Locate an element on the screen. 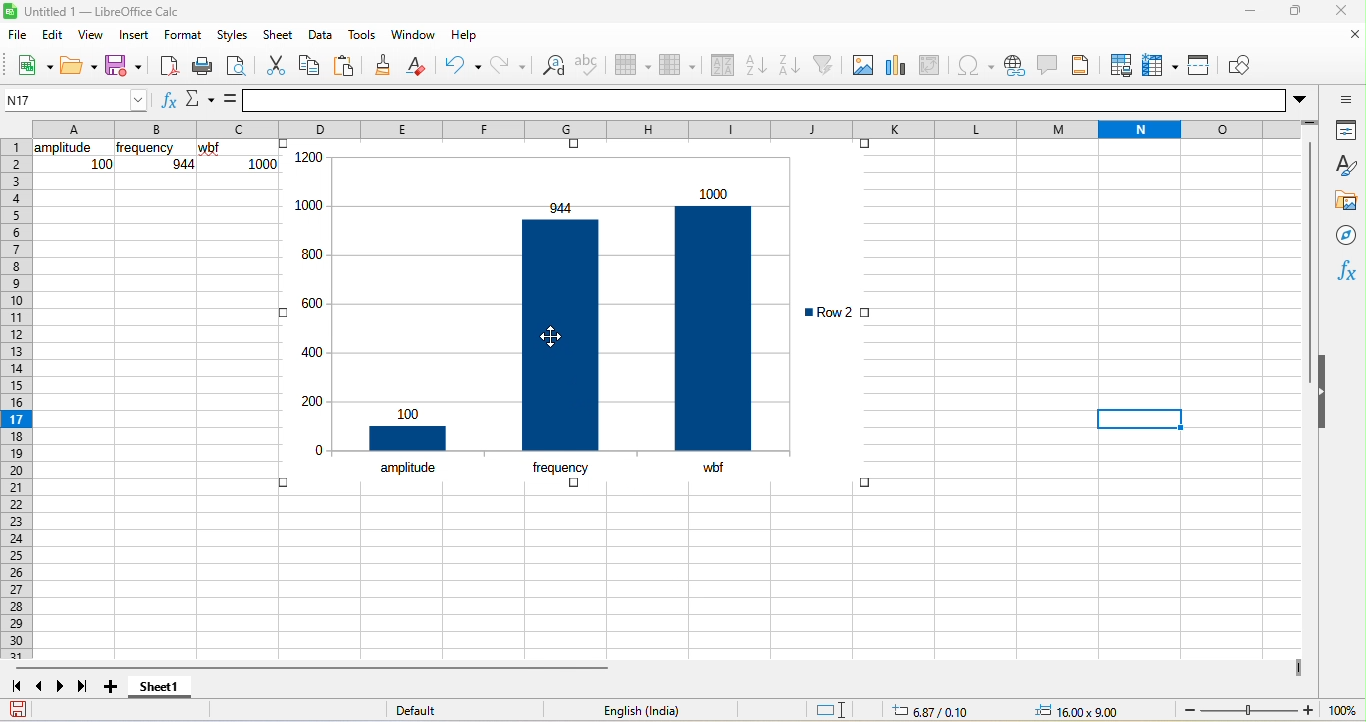 Image resolution: width=1366 pixels, height=722 pixels. special character is located at coordinates (972, 63).